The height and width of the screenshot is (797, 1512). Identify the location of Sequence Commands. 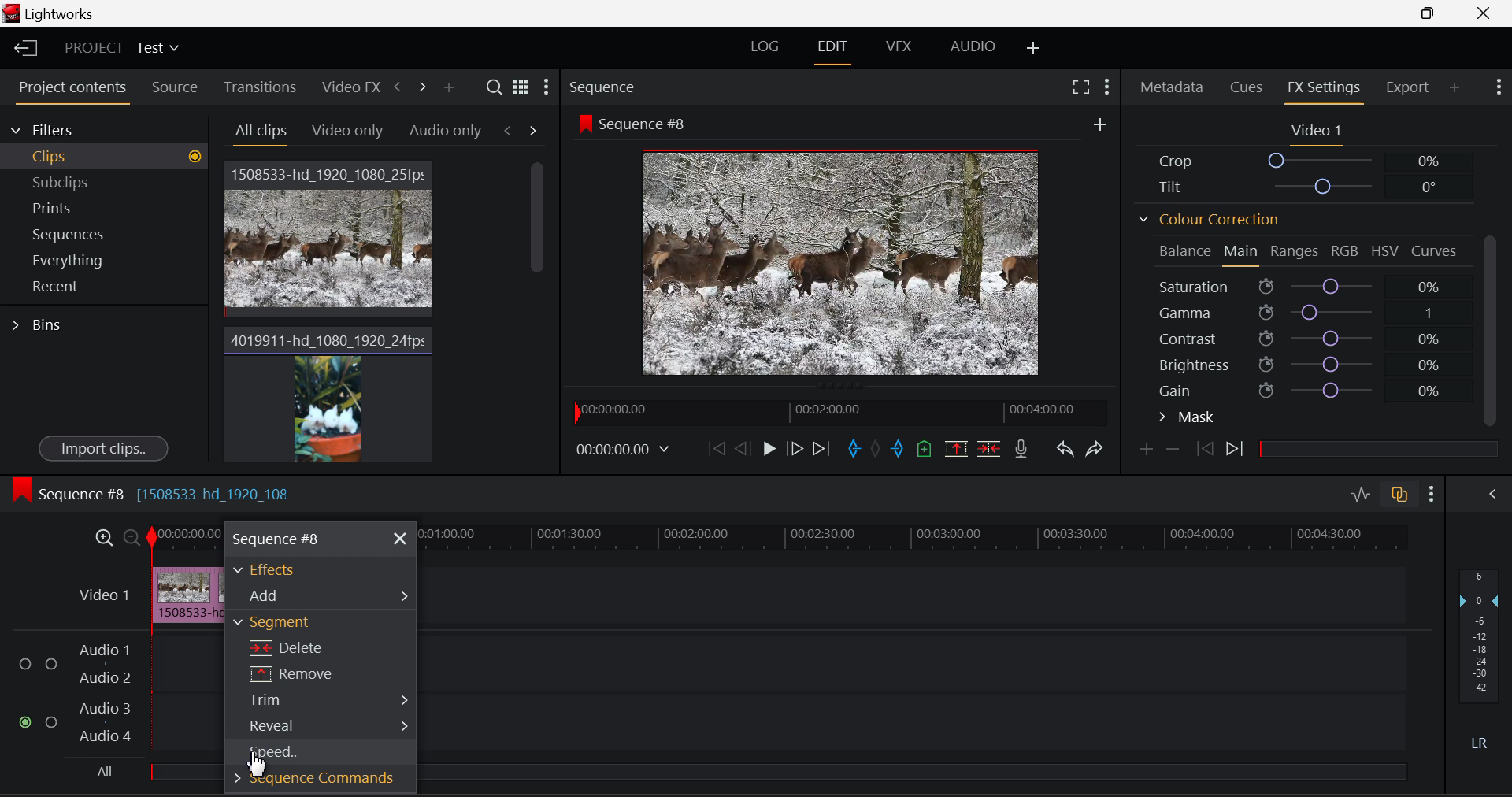
(315, 780).